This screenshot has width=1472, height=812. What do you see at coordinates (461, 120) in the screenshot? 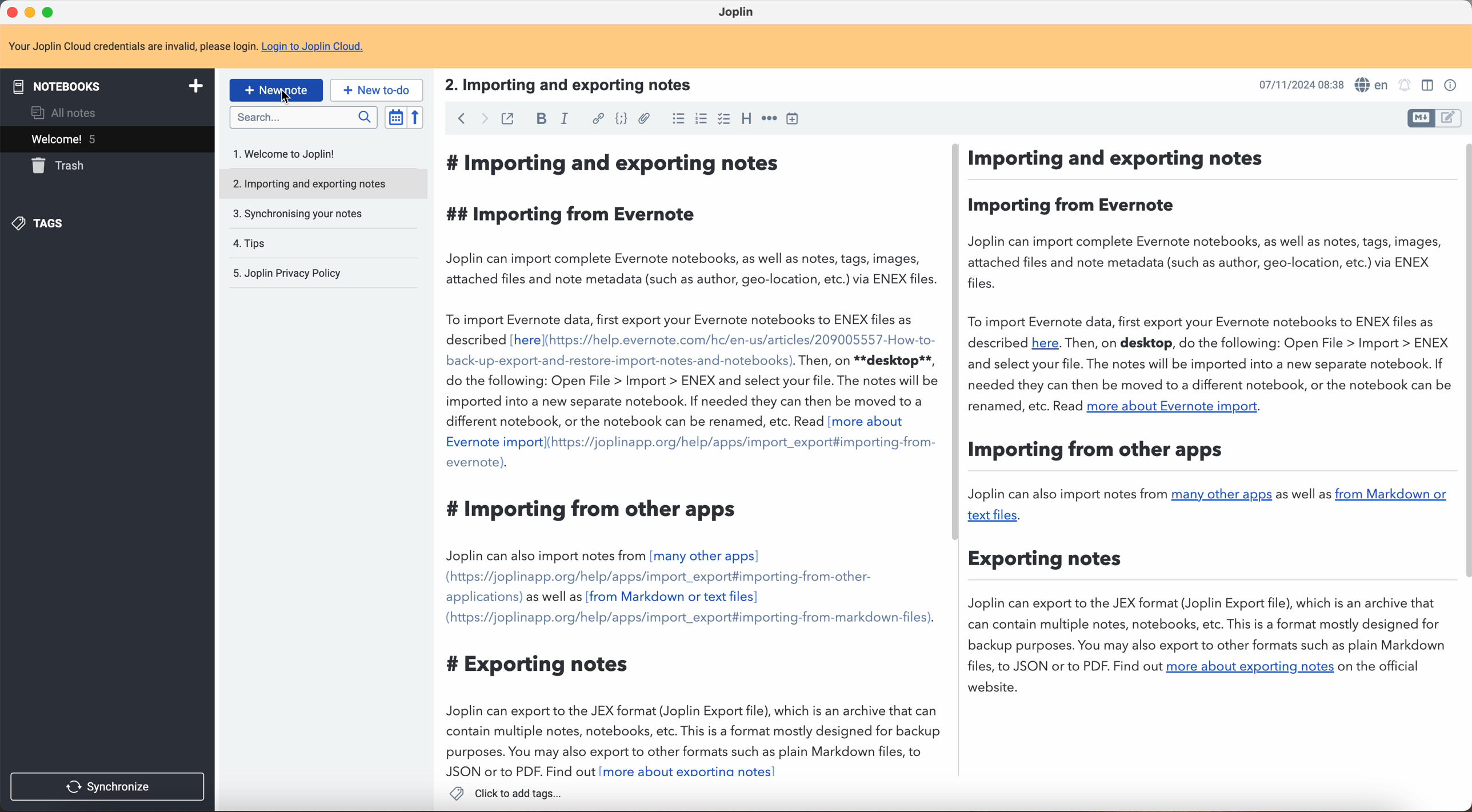
I see `back` at bounding box center [461, 120].